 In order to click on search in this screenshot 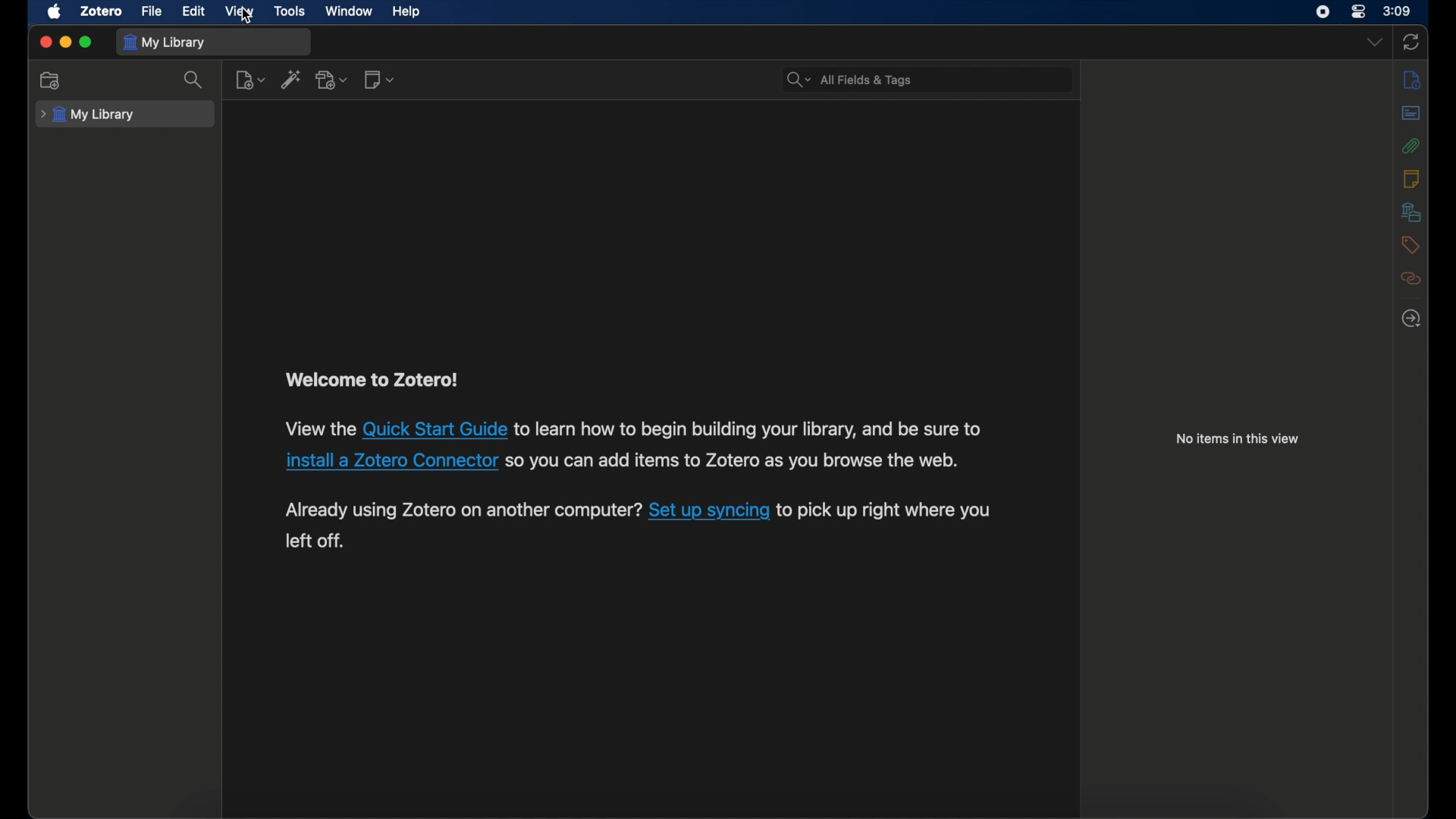, I will do `click(196, 79)`.